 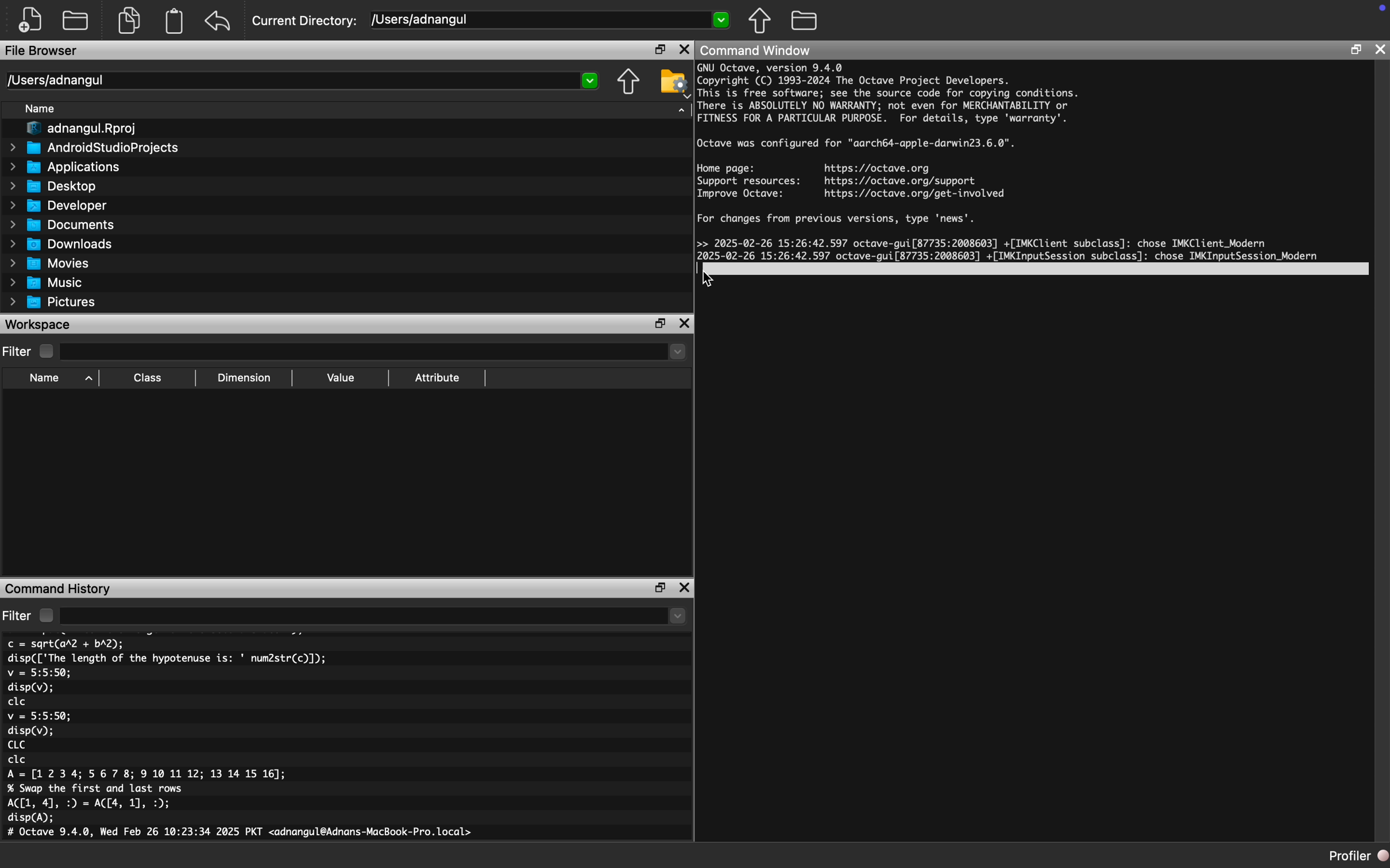 I want to click on Profiler, so click(x=1358, y=857).